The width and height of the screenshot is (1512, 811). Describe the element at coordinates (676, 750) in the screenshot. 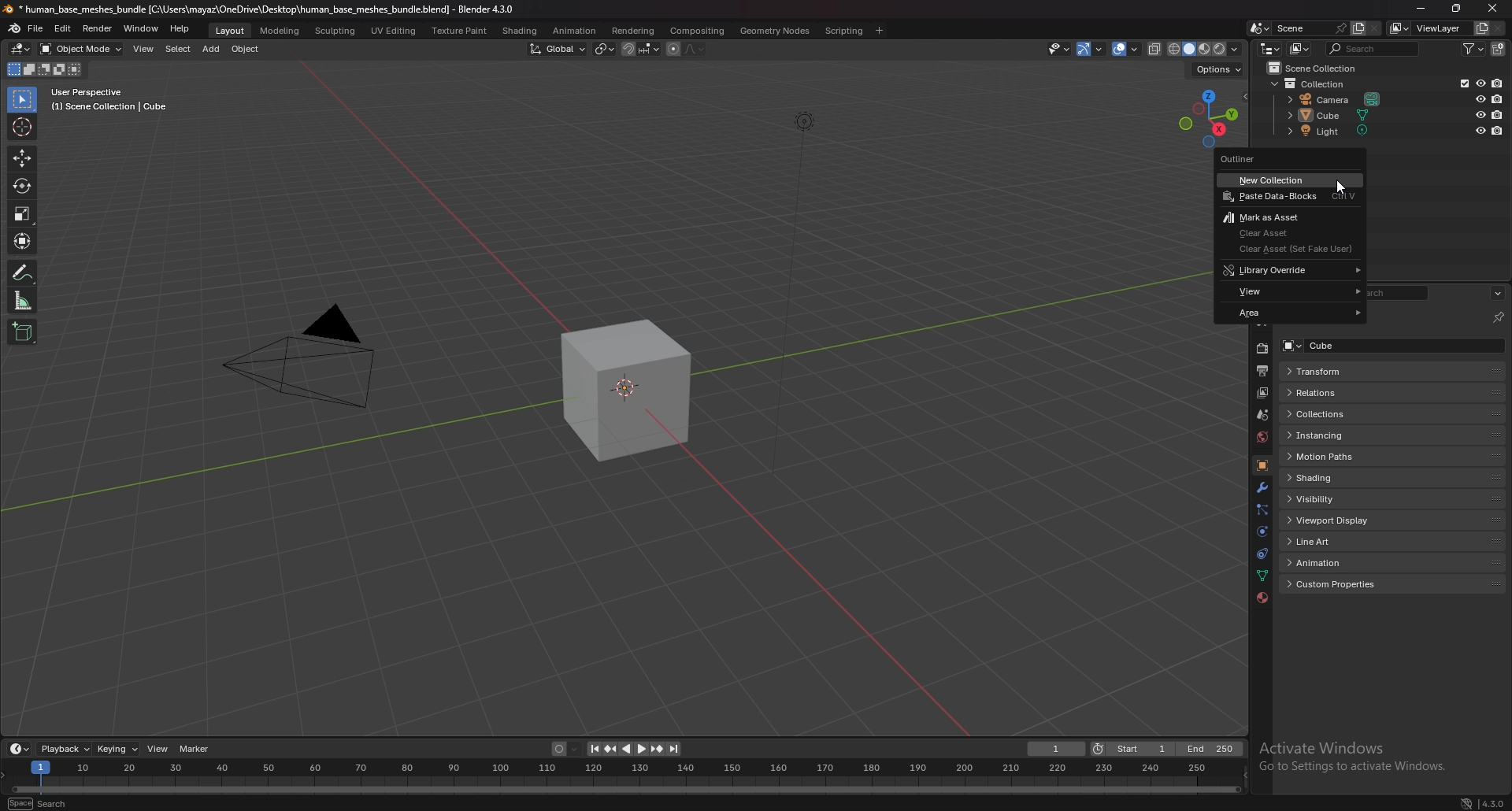

I see `jump to endpoint` at that location.